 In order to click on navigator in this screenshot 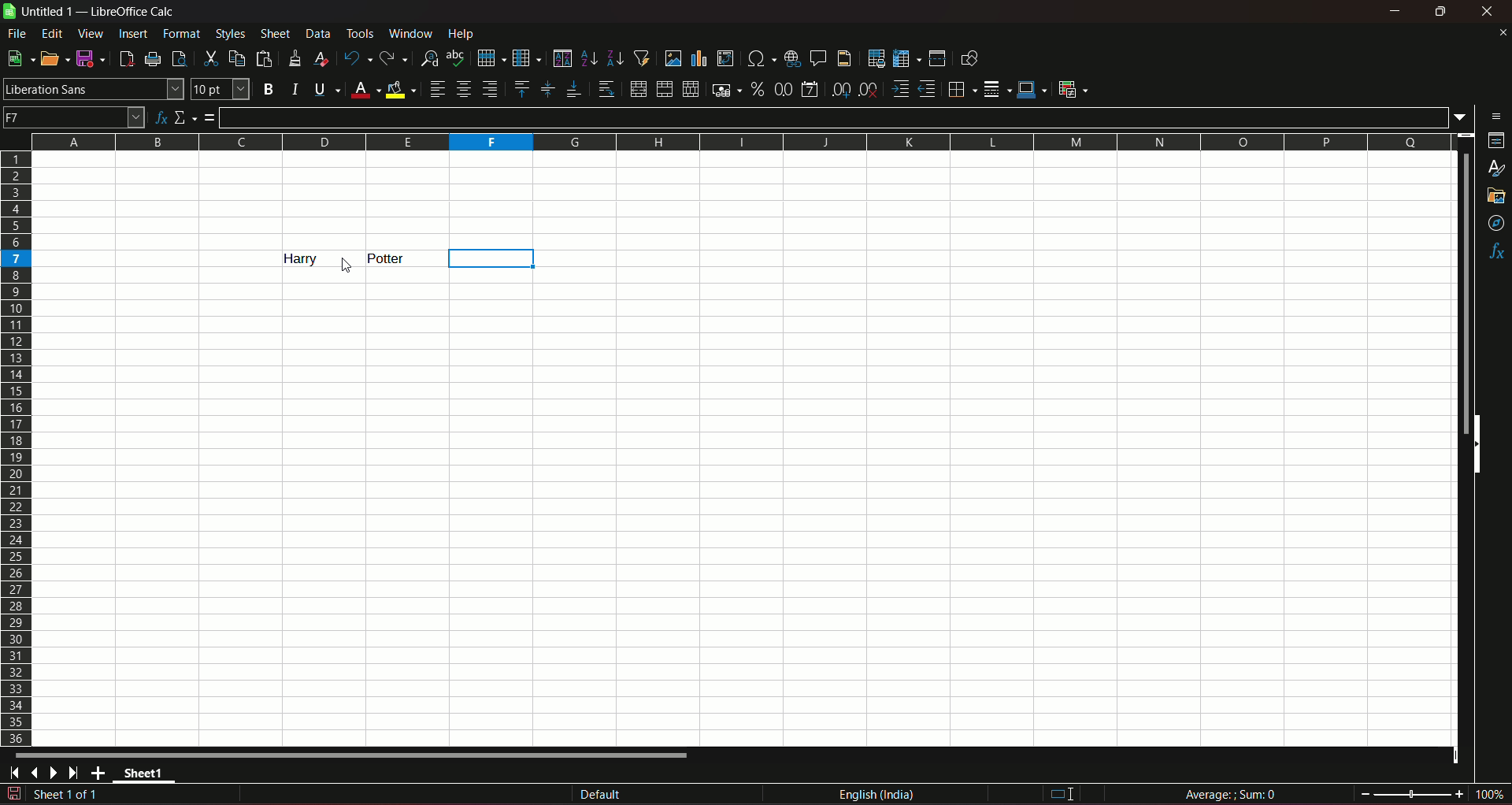, I will do `click(1497, 224)`.